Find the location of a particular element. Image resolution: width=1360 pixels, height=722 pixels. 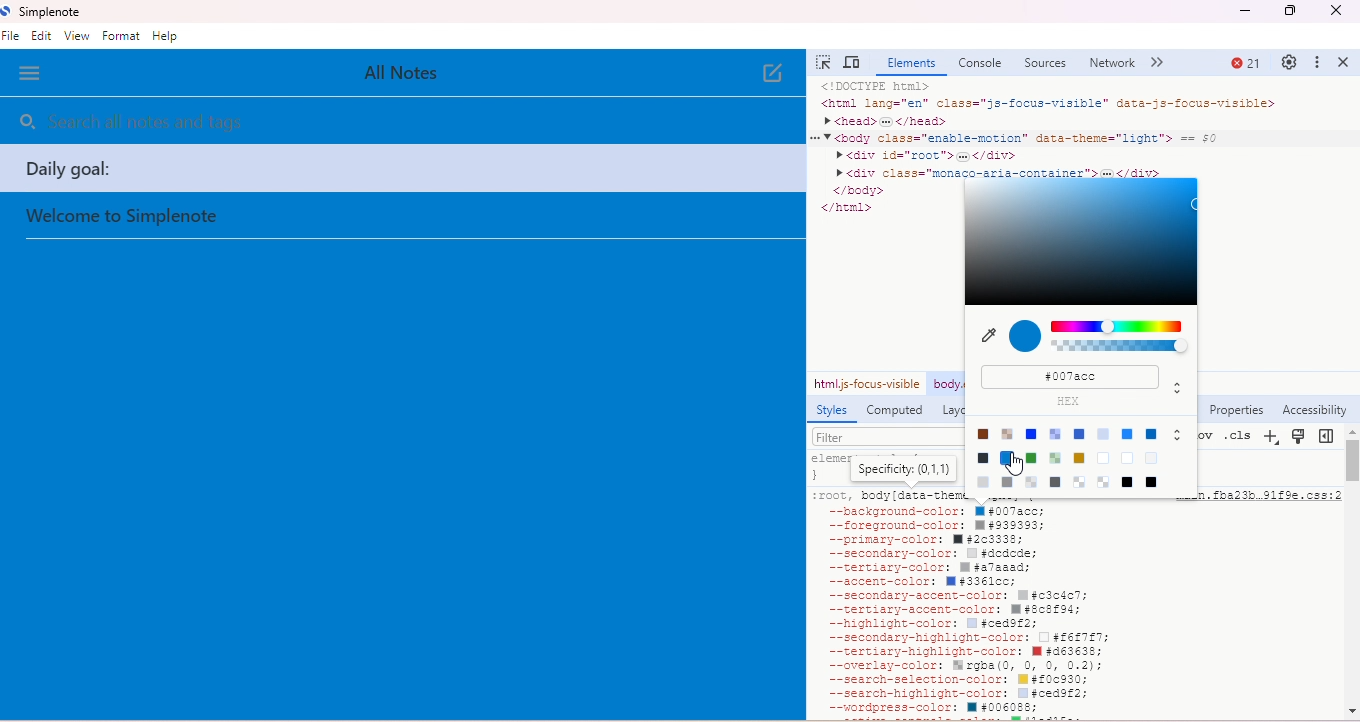

element is located at coordinates (908, 65).